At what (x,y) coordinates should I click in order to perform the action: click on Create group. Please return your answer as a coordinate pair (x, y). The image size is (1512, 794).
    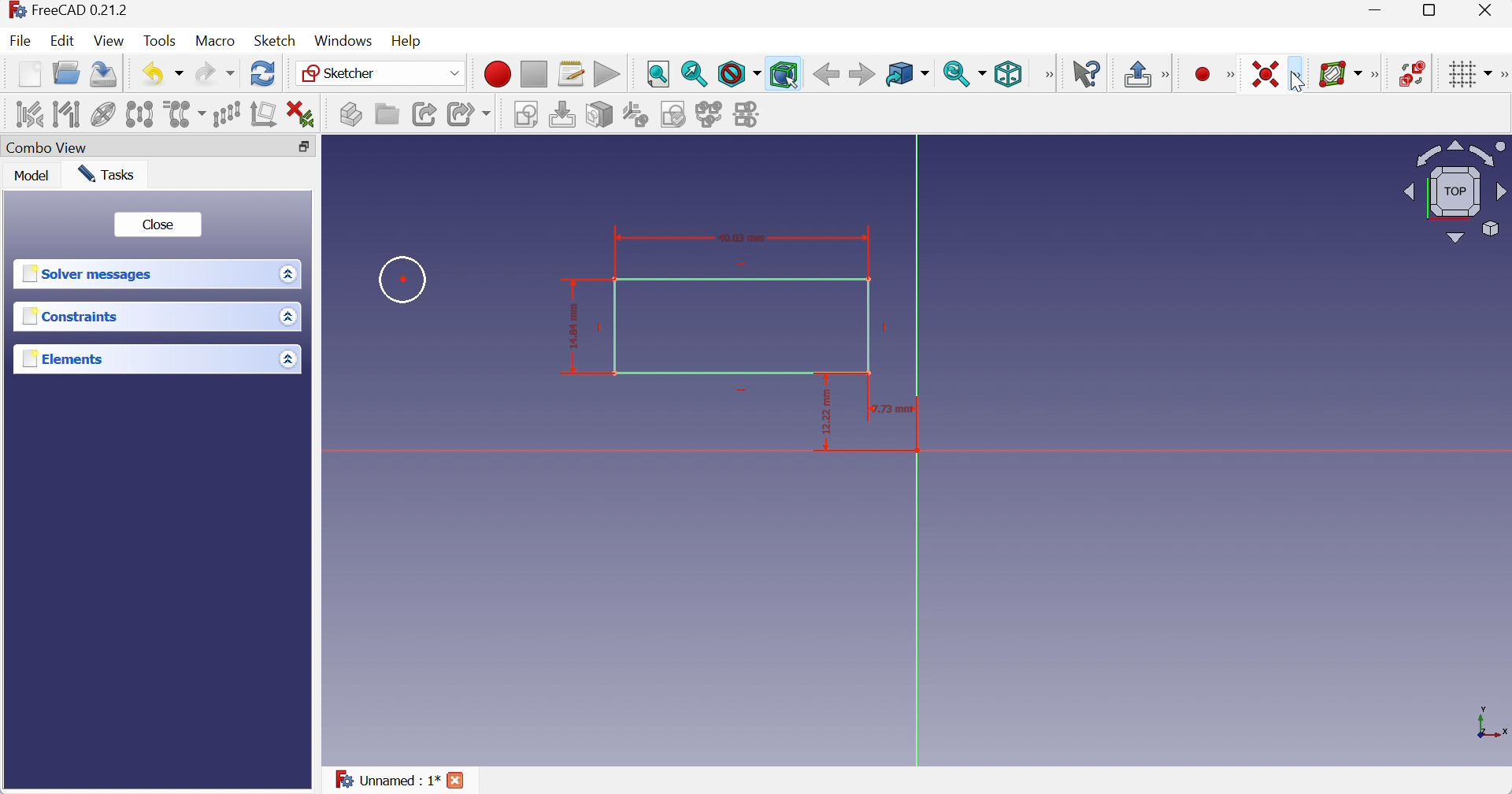
    Looking at the image, I should click on (386, 113).